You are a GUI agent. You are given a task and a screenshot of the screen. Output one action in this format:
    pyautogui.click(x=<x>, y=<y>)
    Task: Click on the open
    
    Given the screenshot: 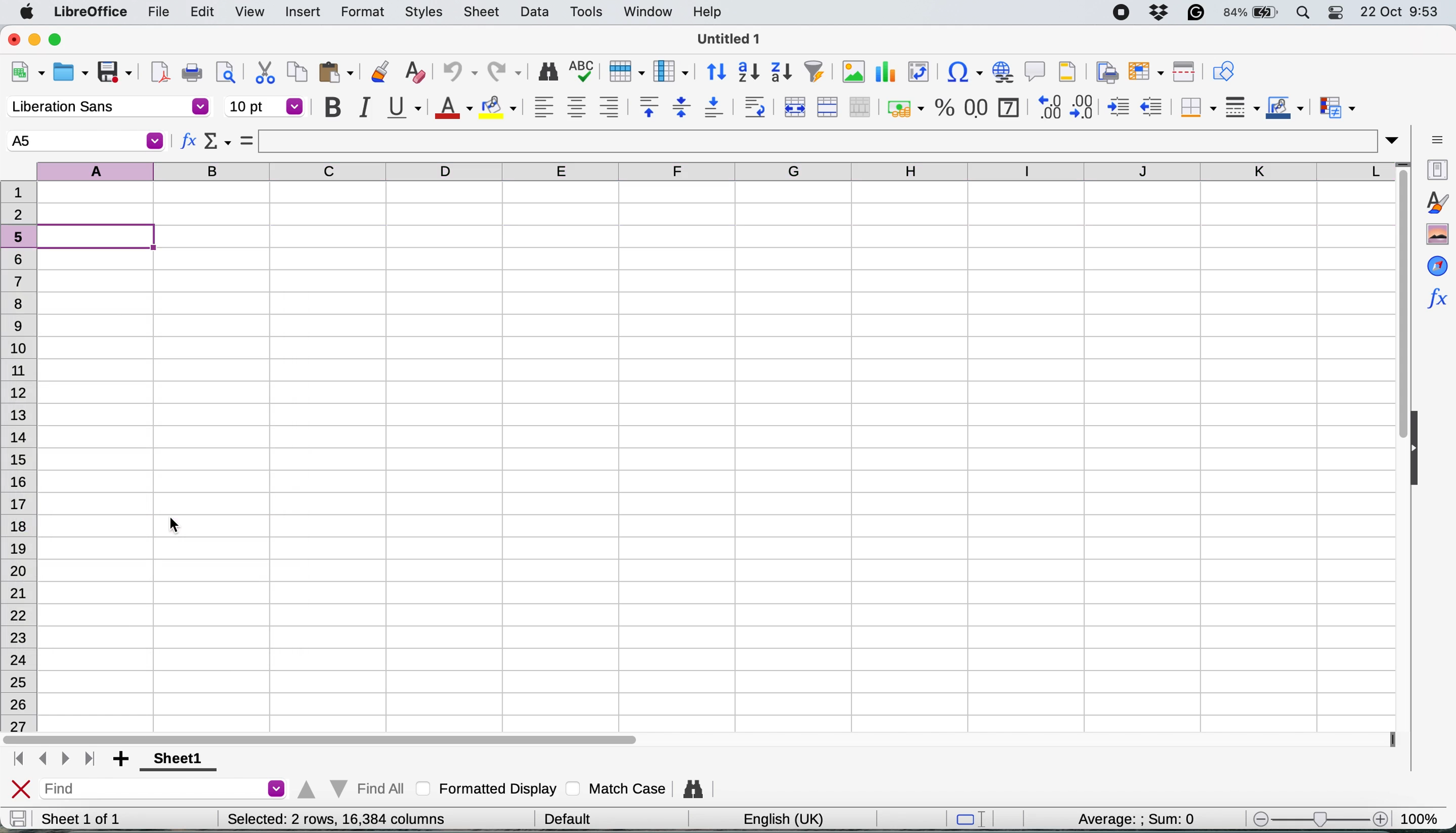 What is the action you would take?
    pyautogui.click(x=70, y=74)
    